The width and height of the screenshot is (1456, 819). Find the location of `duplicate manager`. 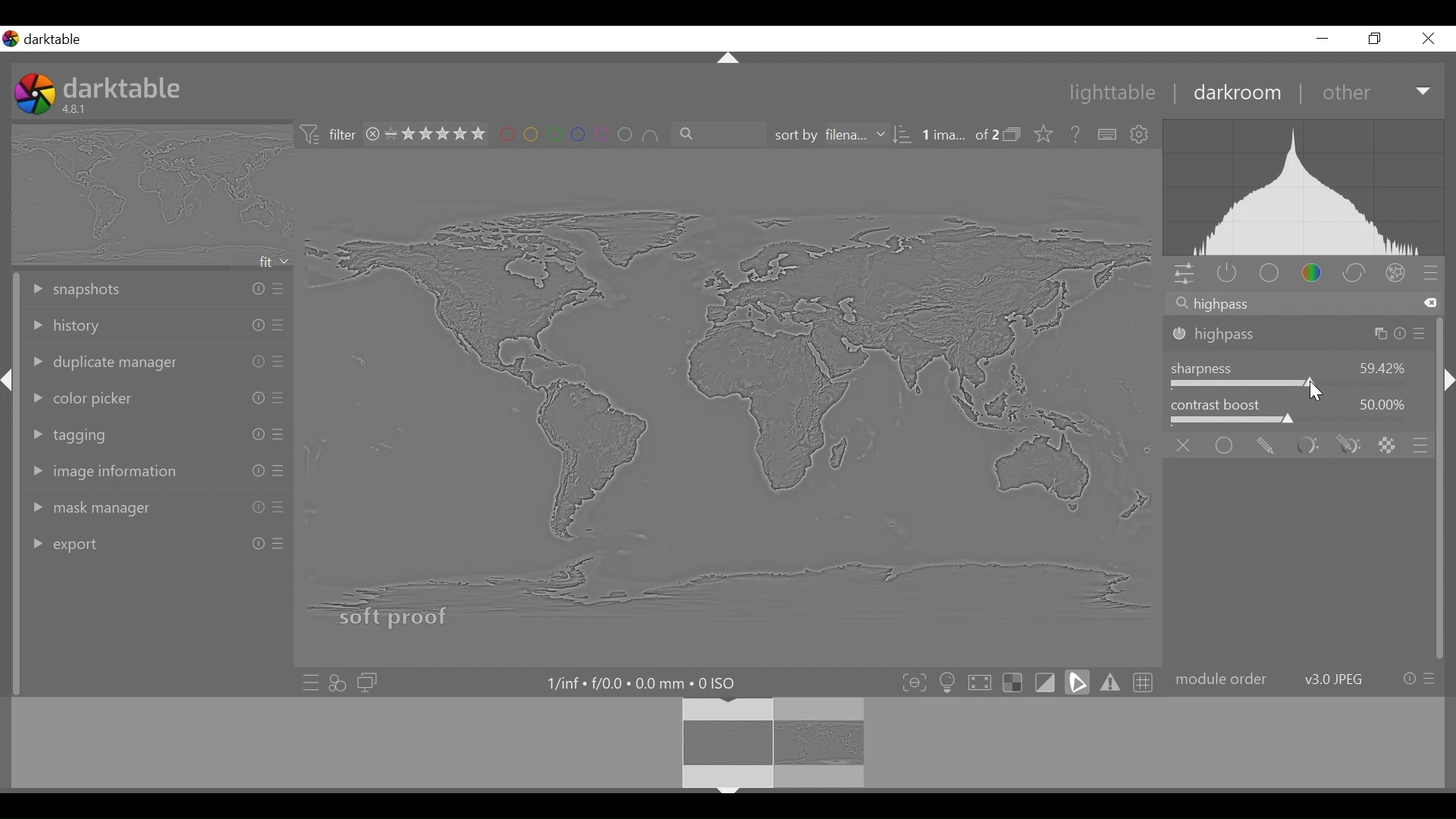

duplicate manager is located at coordinates (158, 361).